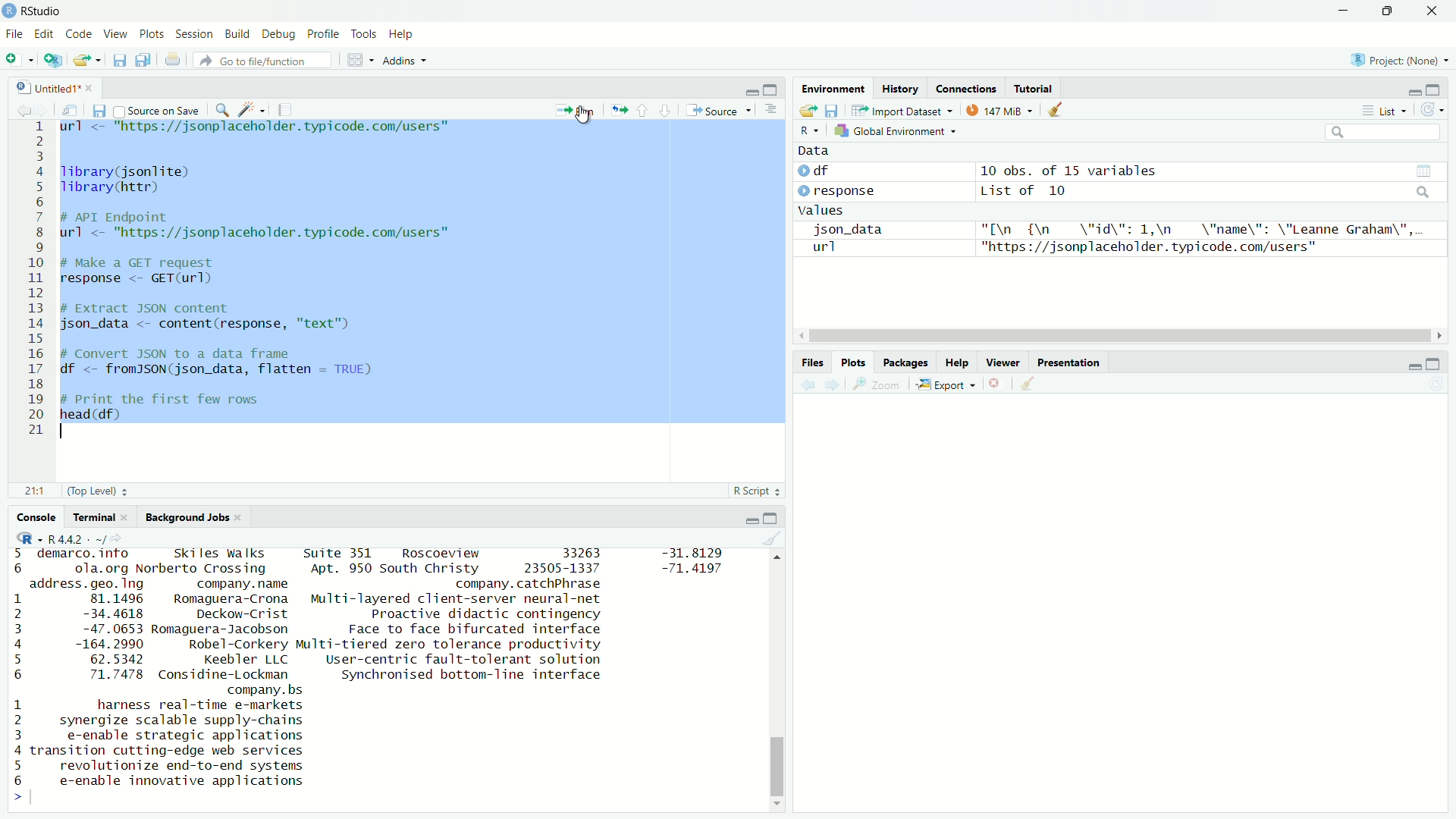 This screenshot has height=819, width=1456. What do you see at coordinates (1203, 230) in the screenshot?
I see `"I\n {\n \"id\": 1,\n \"name\": \"Leanne Graham\",..` at bounding box center [1203, 230].